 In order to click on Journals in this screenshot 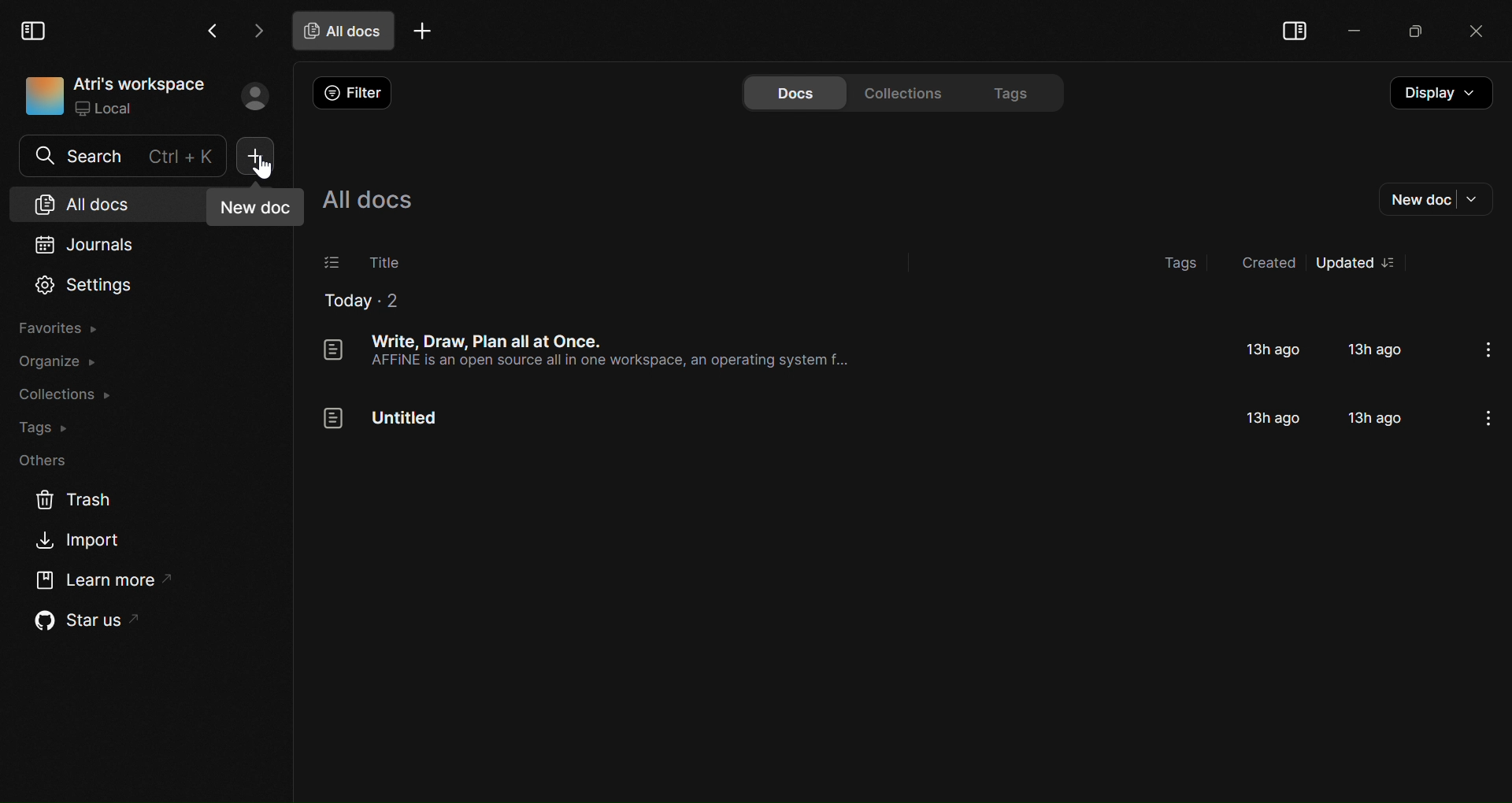, I will do `click(105, 244)`.